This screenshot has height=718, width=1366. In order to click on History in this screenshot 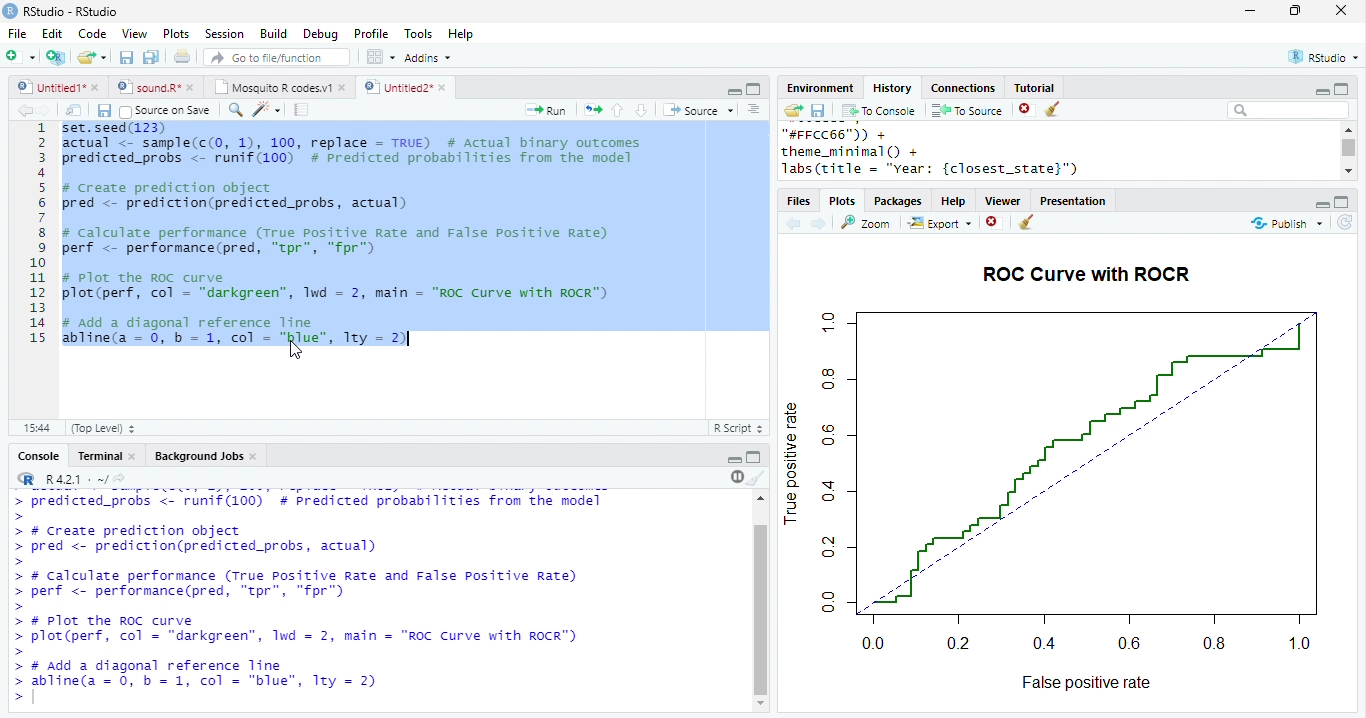, I will do `click(892, 88)`.